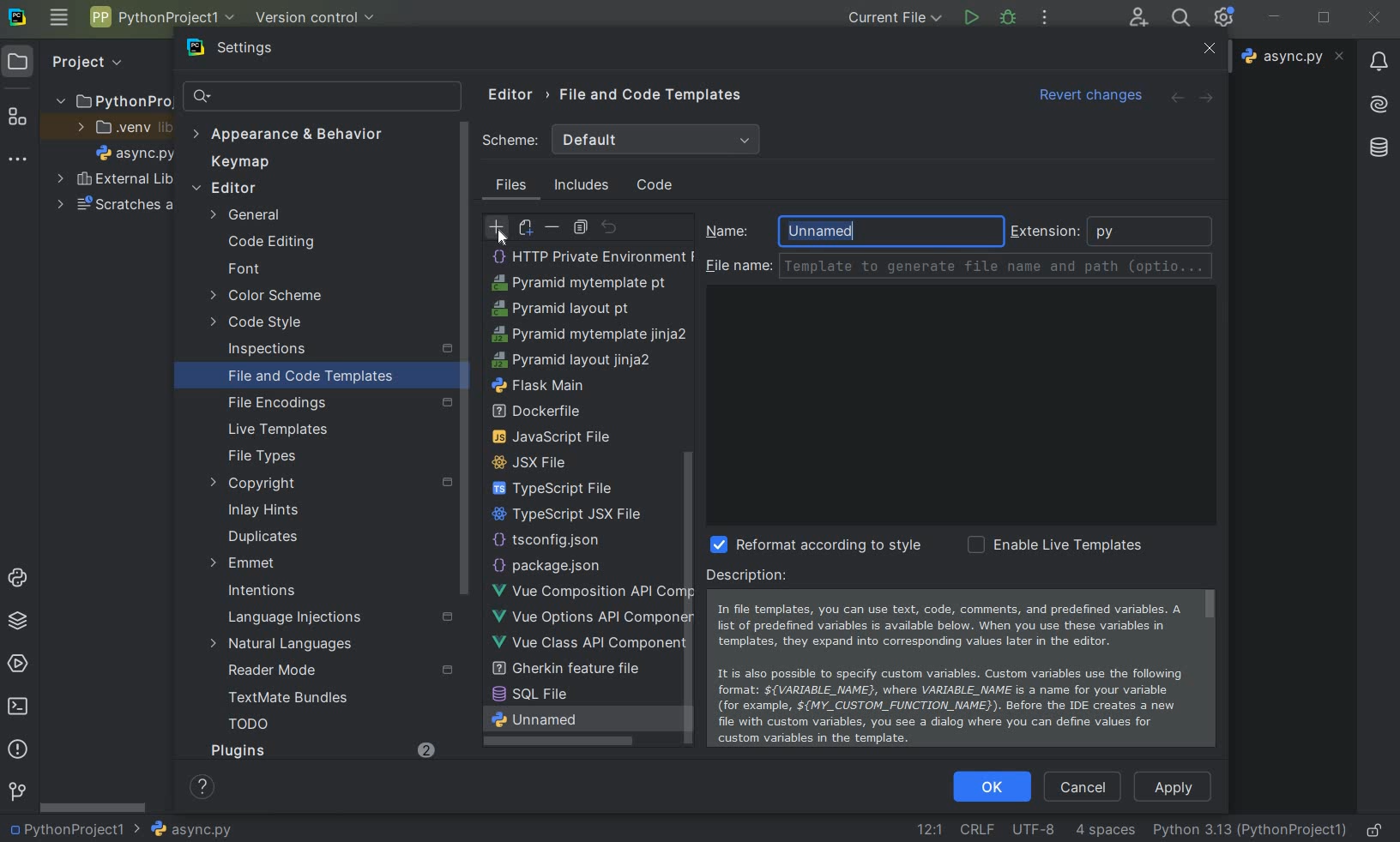 The height and width of the screenshot is (842, 1400). I want to click on revert changes, so click(1085, 97).